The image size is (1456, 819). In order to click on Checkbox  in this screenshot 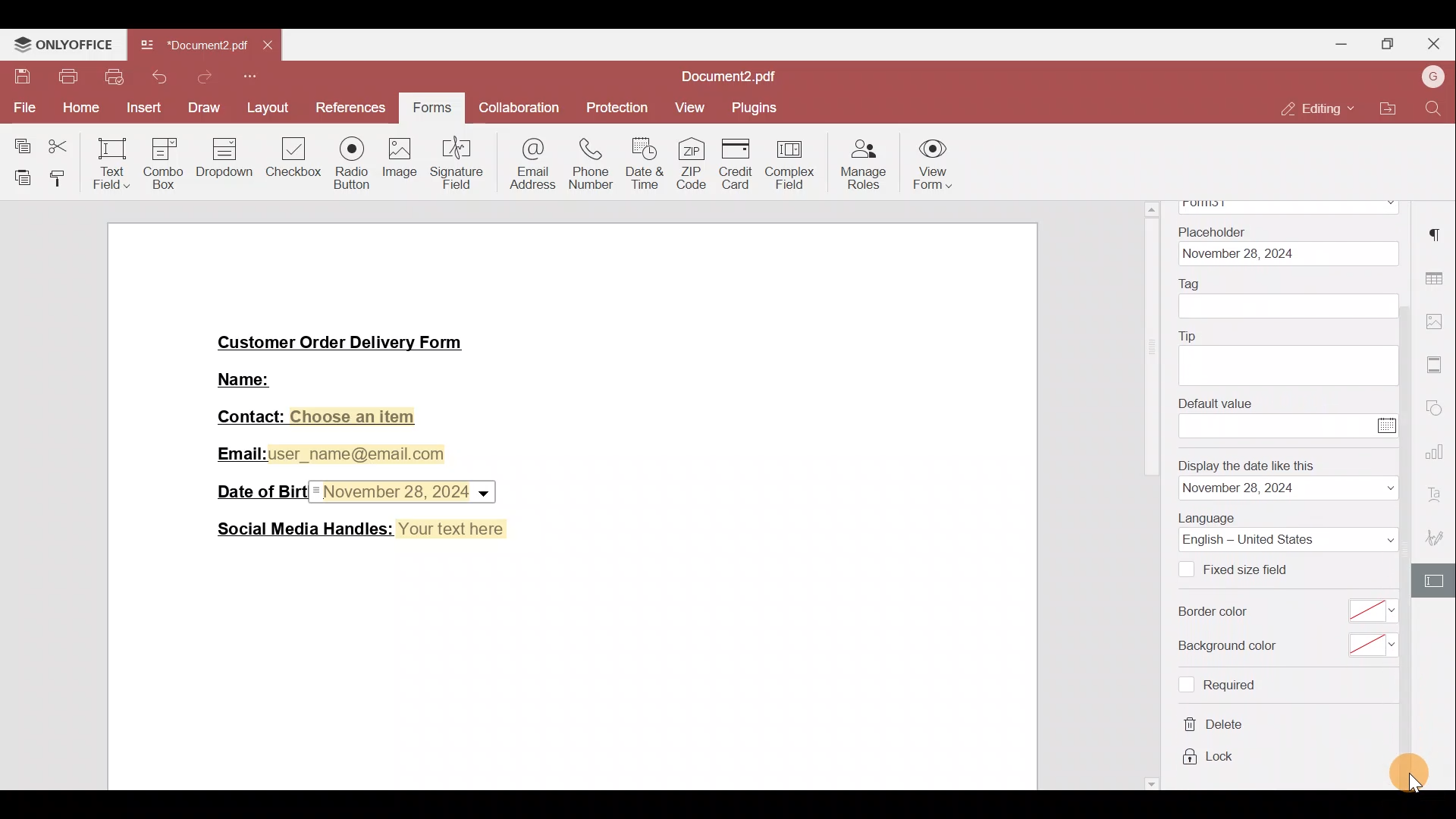, I will do `click(1187, 685)`.